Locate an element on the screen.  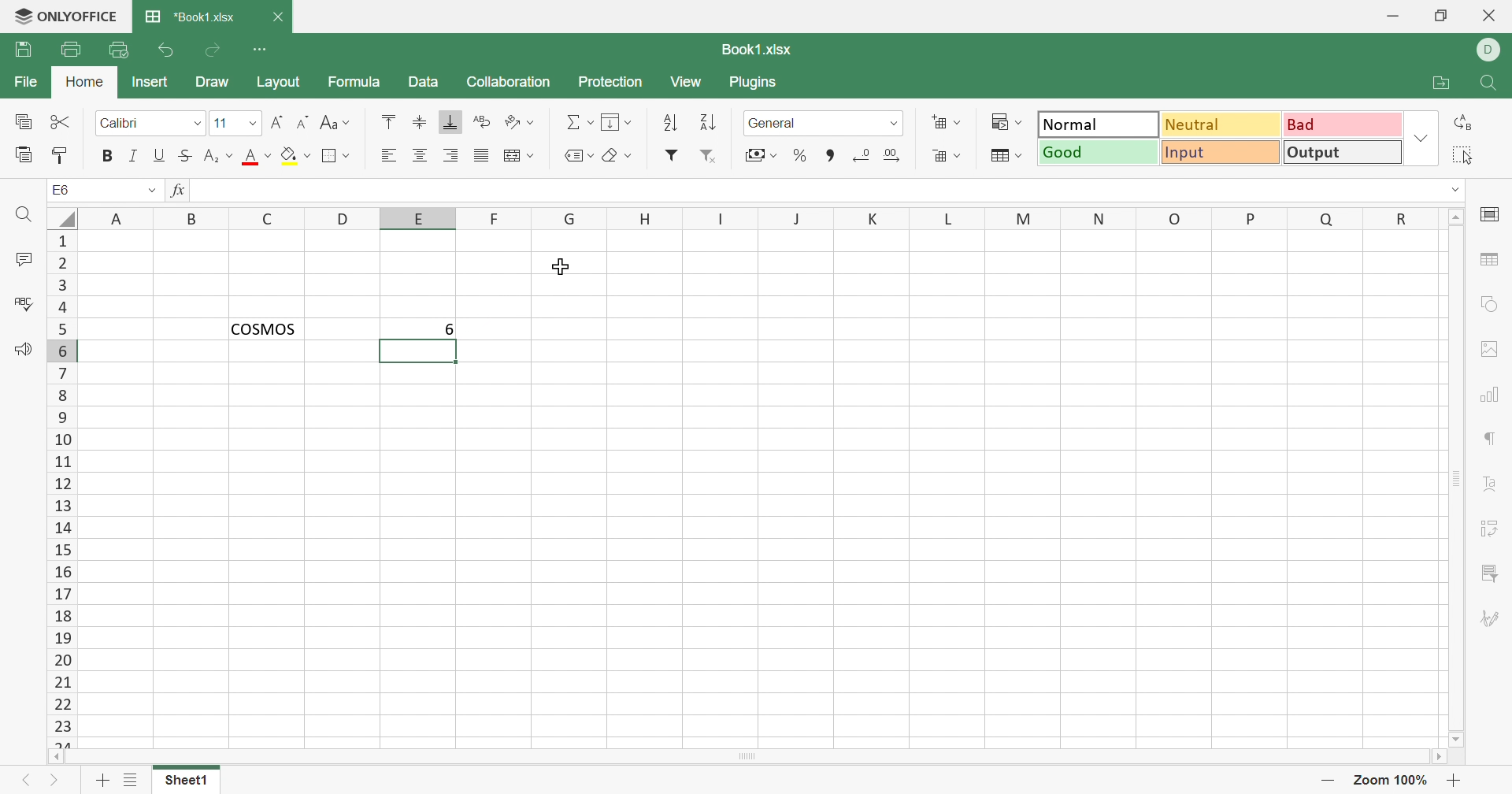
Comma style is located at coordinates (834, 156).